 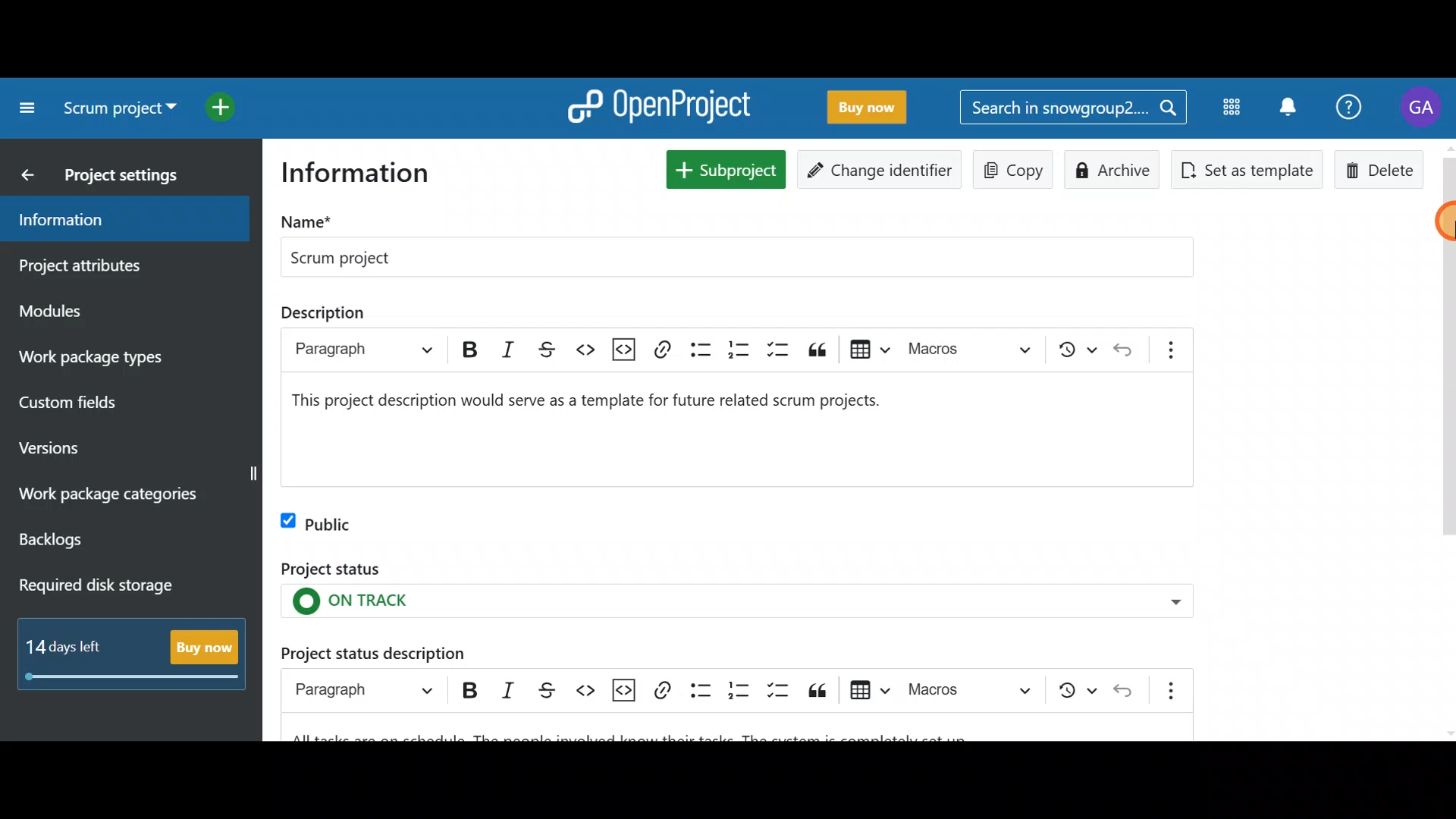 I want to click on Work package categories, so click(x=130, y=494).